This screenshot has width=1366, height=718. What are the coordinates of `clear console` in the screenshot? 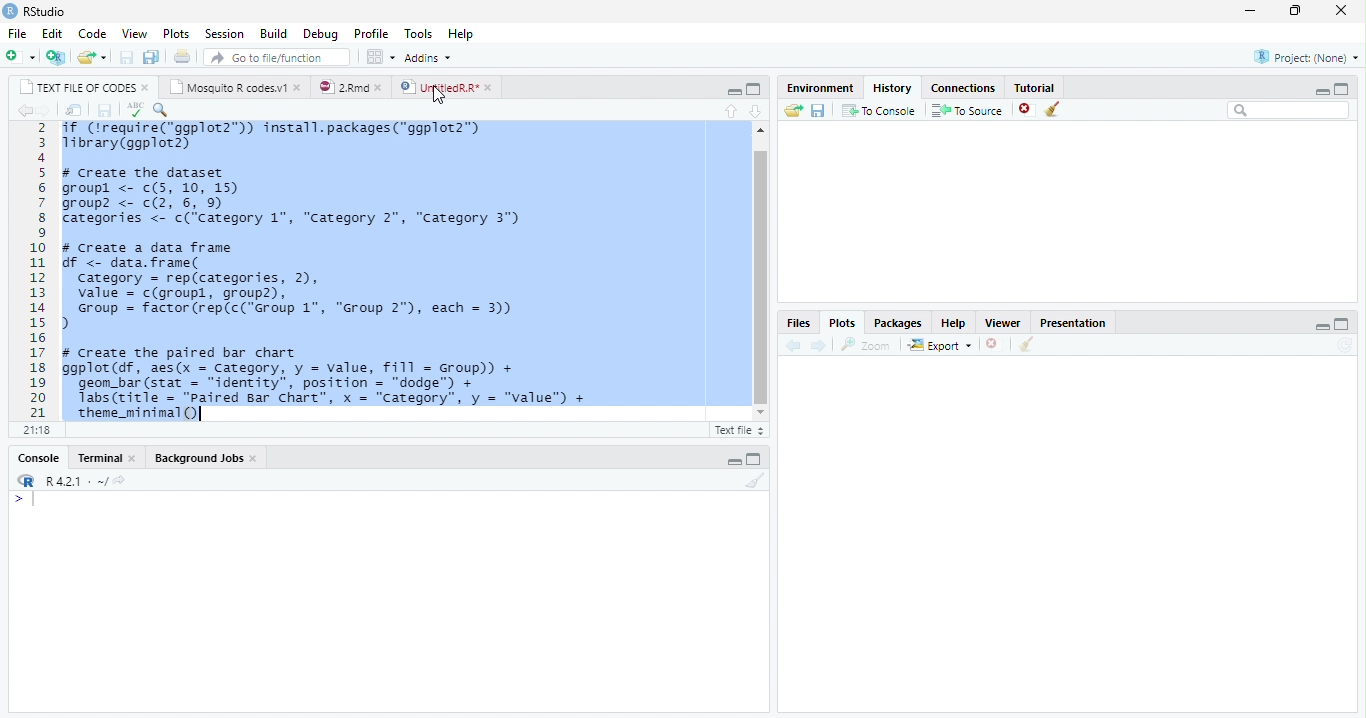 It's located at (754, 482).